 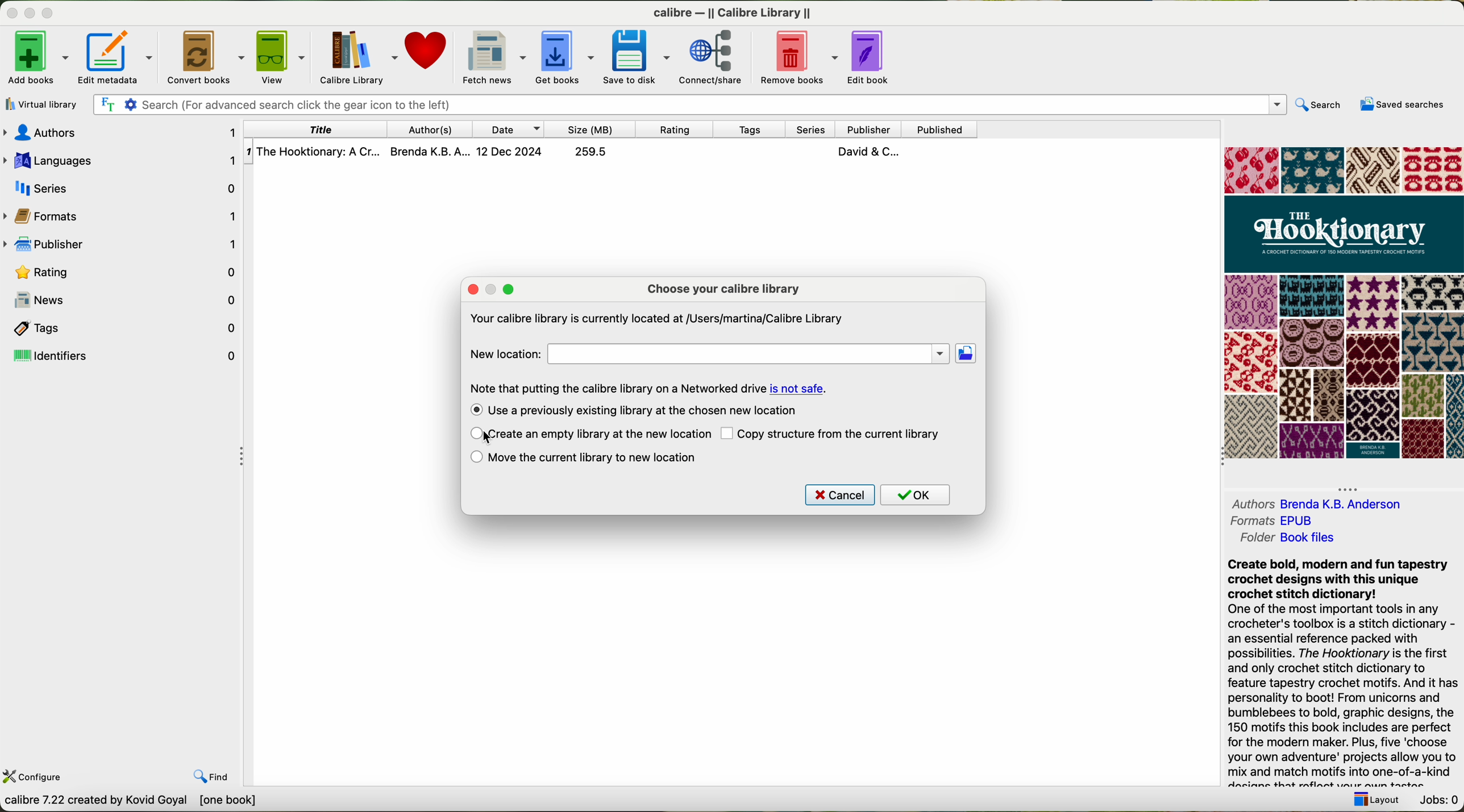 I want to click on cursor, so click(x=493, y=440).